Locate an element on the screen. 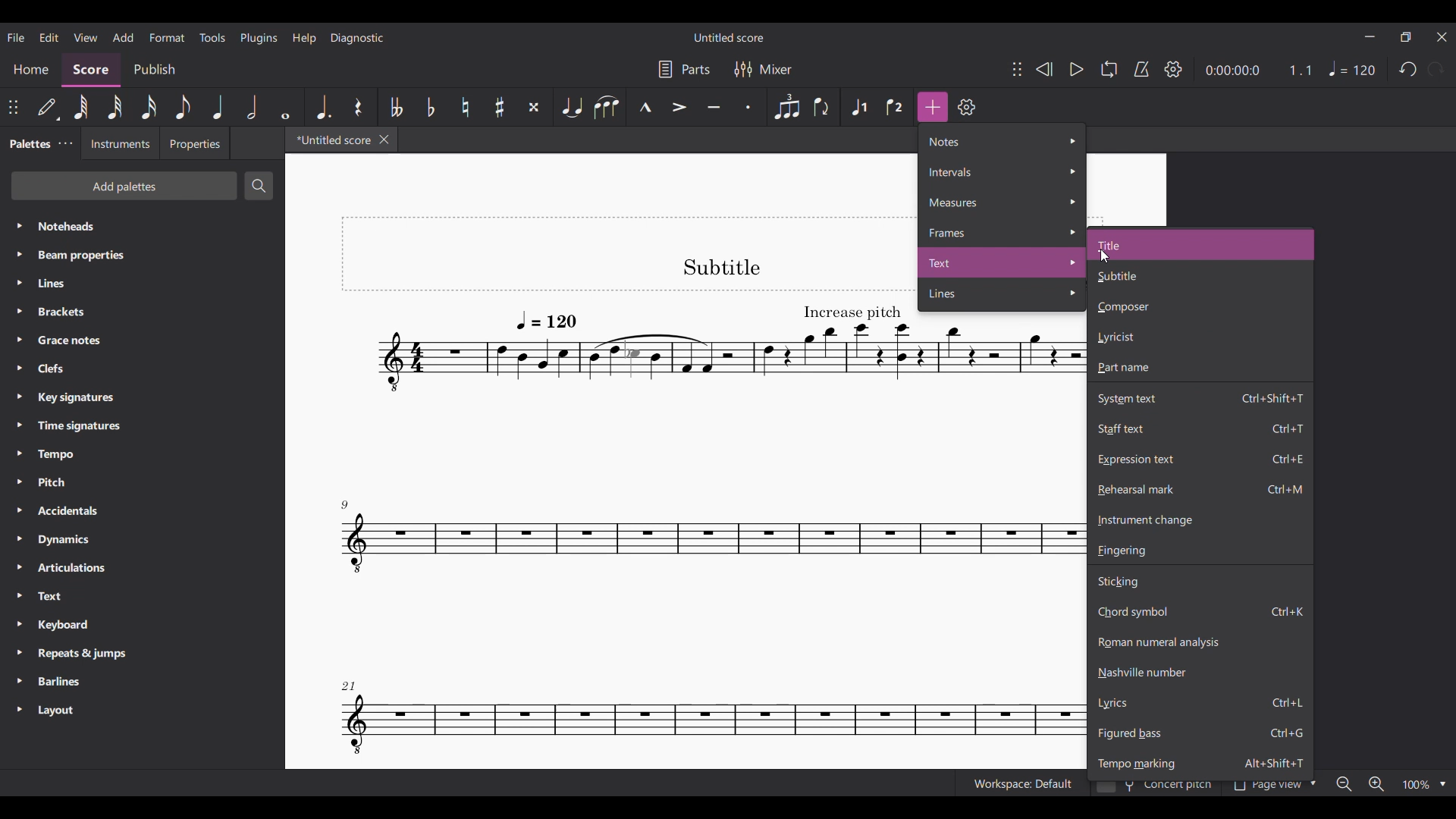 This screenshot has height=819, width=1456. Parts settings is located at coordinates (684, 69).